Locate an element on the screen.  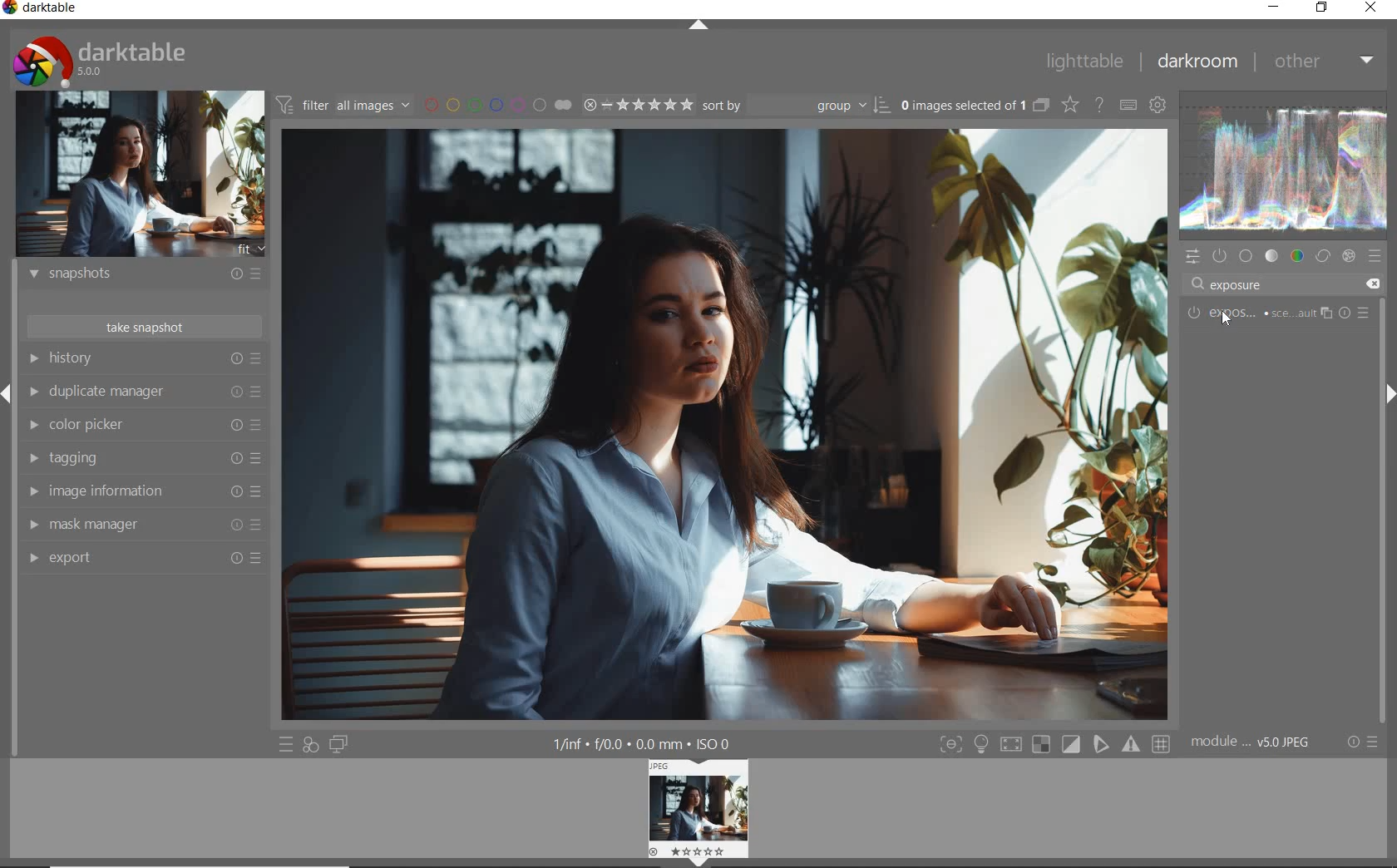
snapshots is located at coordinates (147, 274).